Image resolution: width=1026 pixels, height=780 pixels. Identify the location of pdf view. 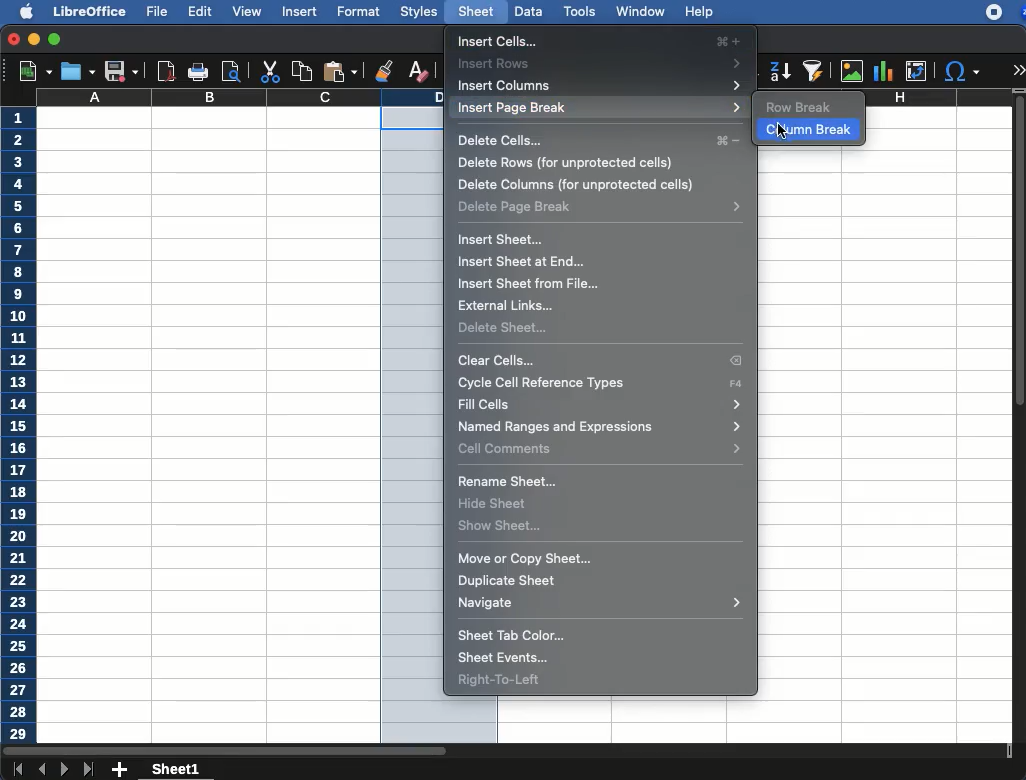
(167, 73).